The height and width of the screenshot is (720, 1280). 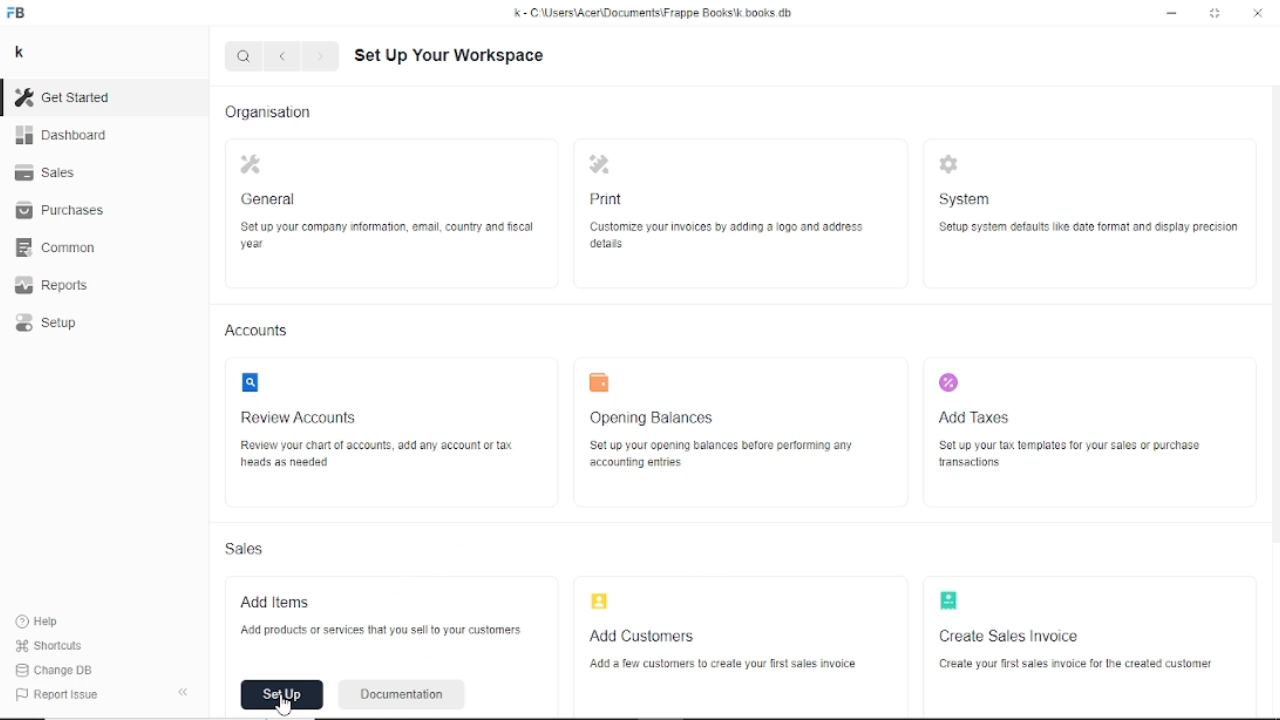 I want to click on Common, so click(x=62, y=247).